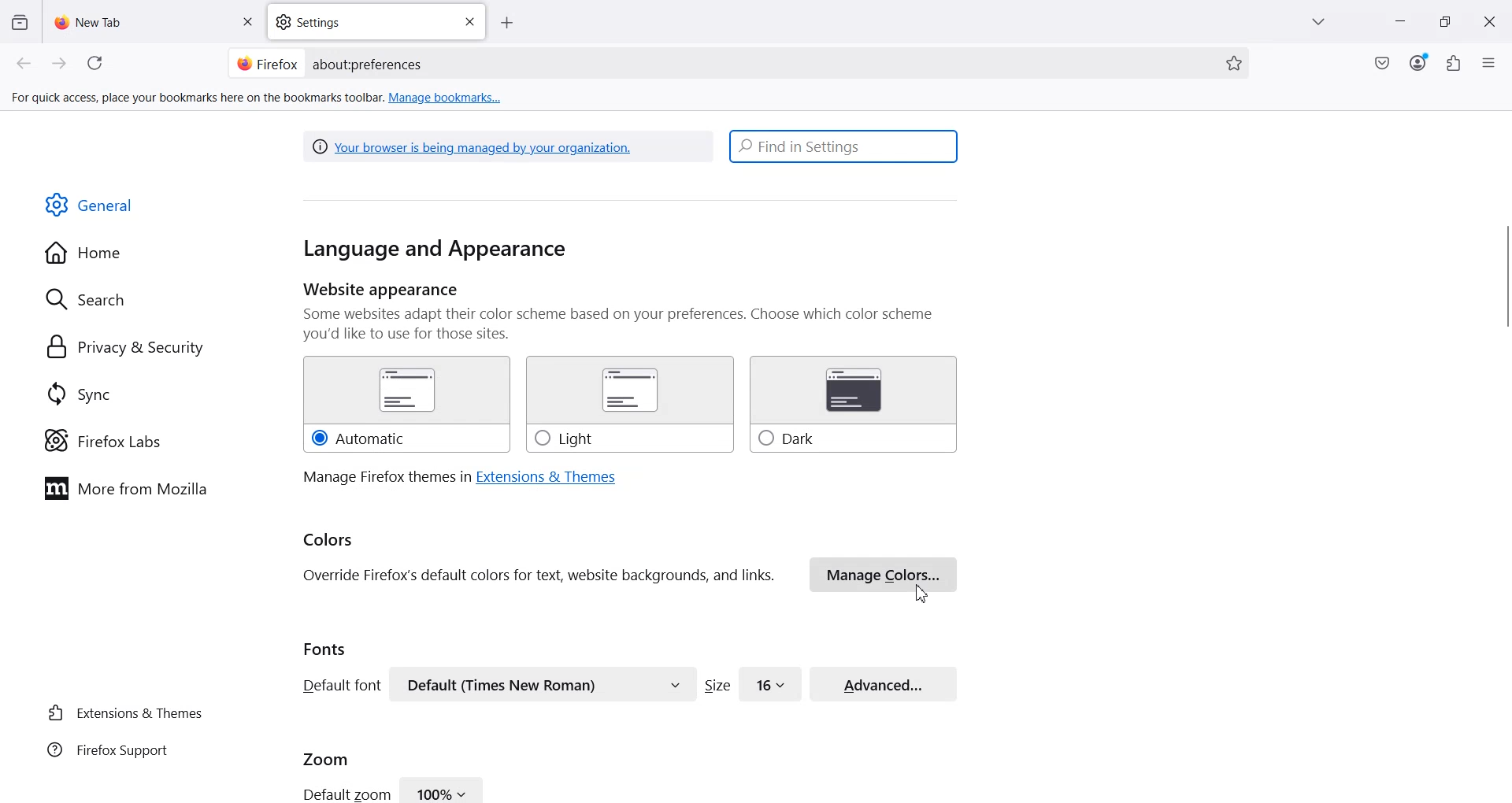 This screenshot has width=1512, height=803. What do you see at coordinates (844, 146) in the screenshot?
I see `Search Bar` at bounding box center [844, 146].